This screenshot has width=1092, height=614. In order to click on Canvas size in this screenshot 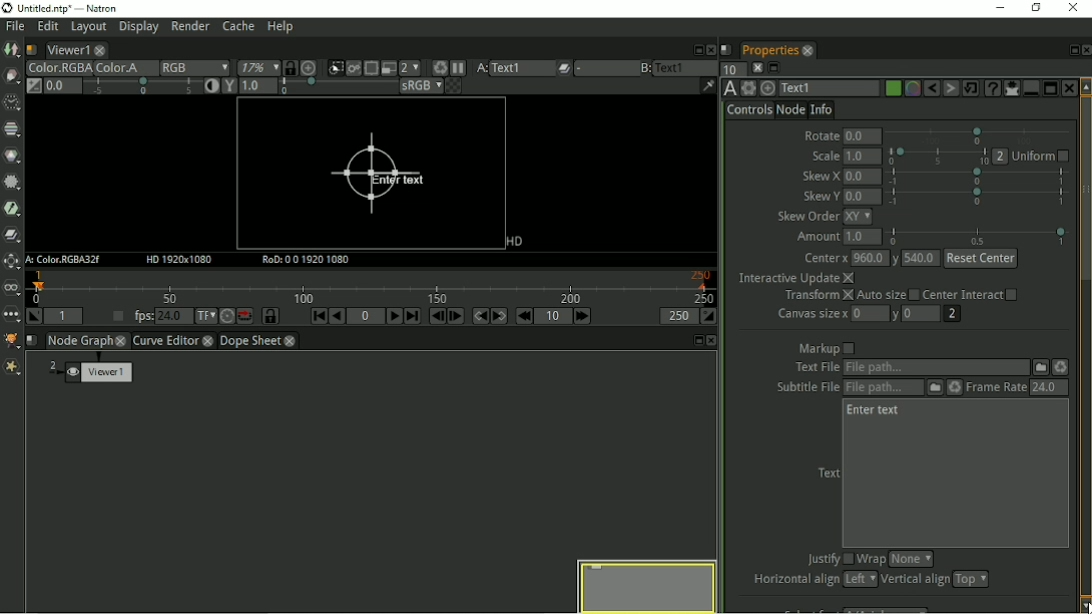, I will do `click(807, 316)`.